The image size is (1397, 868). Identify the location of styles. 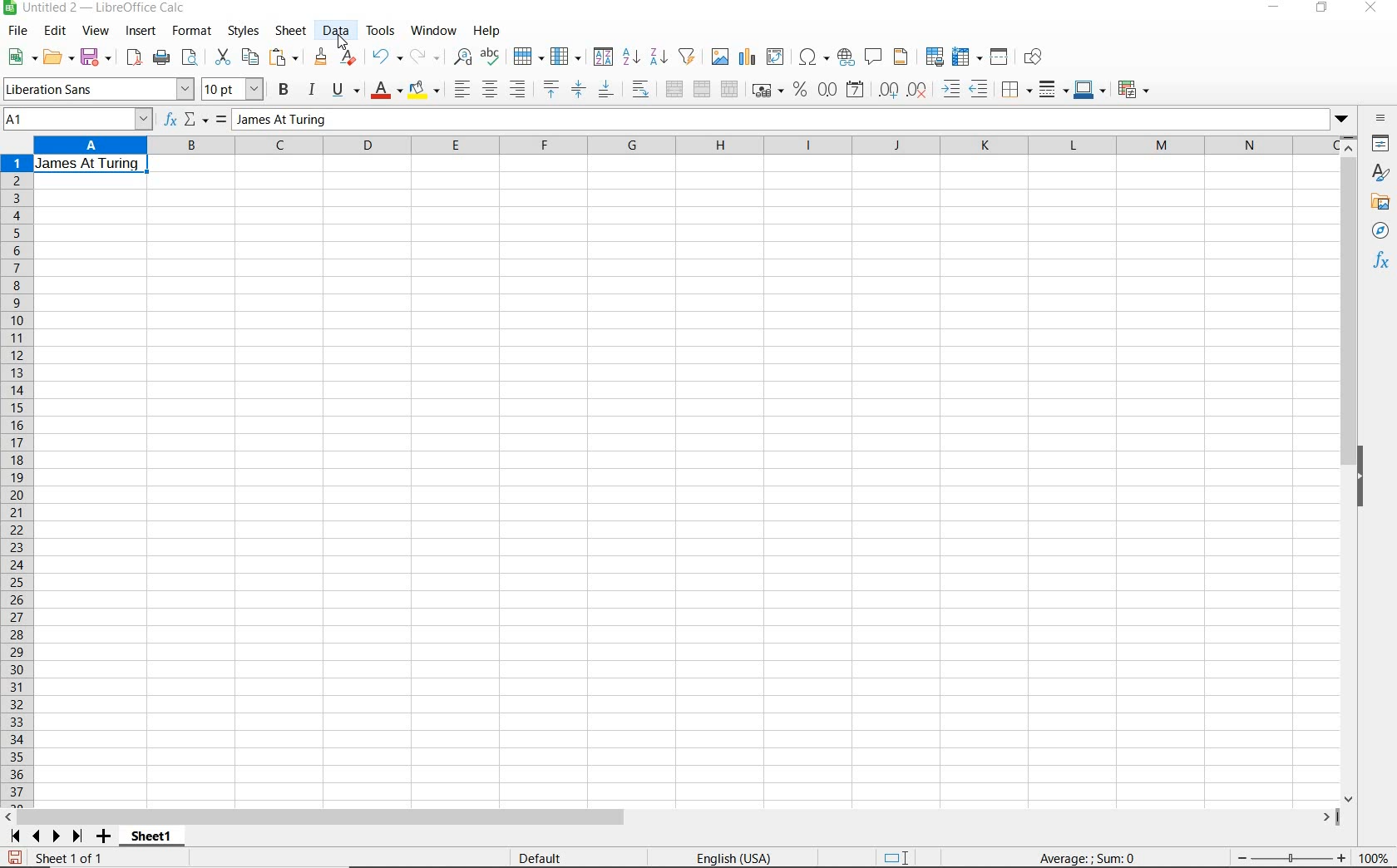
(244, 33).